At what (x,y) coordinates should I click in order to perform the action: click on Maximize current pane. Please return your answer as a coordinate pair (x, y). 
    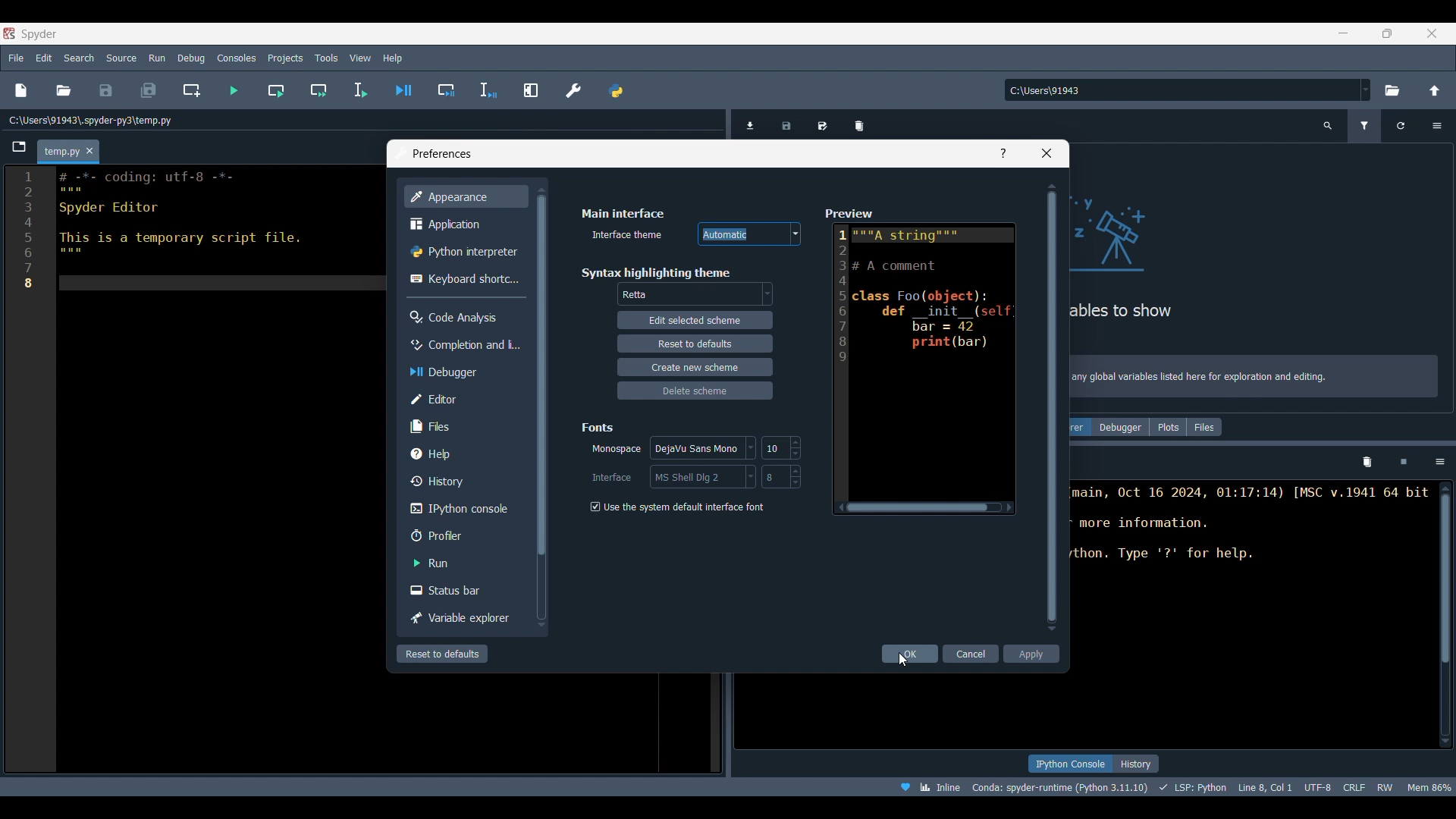
    Looking at the image, I should click on (531, 89).